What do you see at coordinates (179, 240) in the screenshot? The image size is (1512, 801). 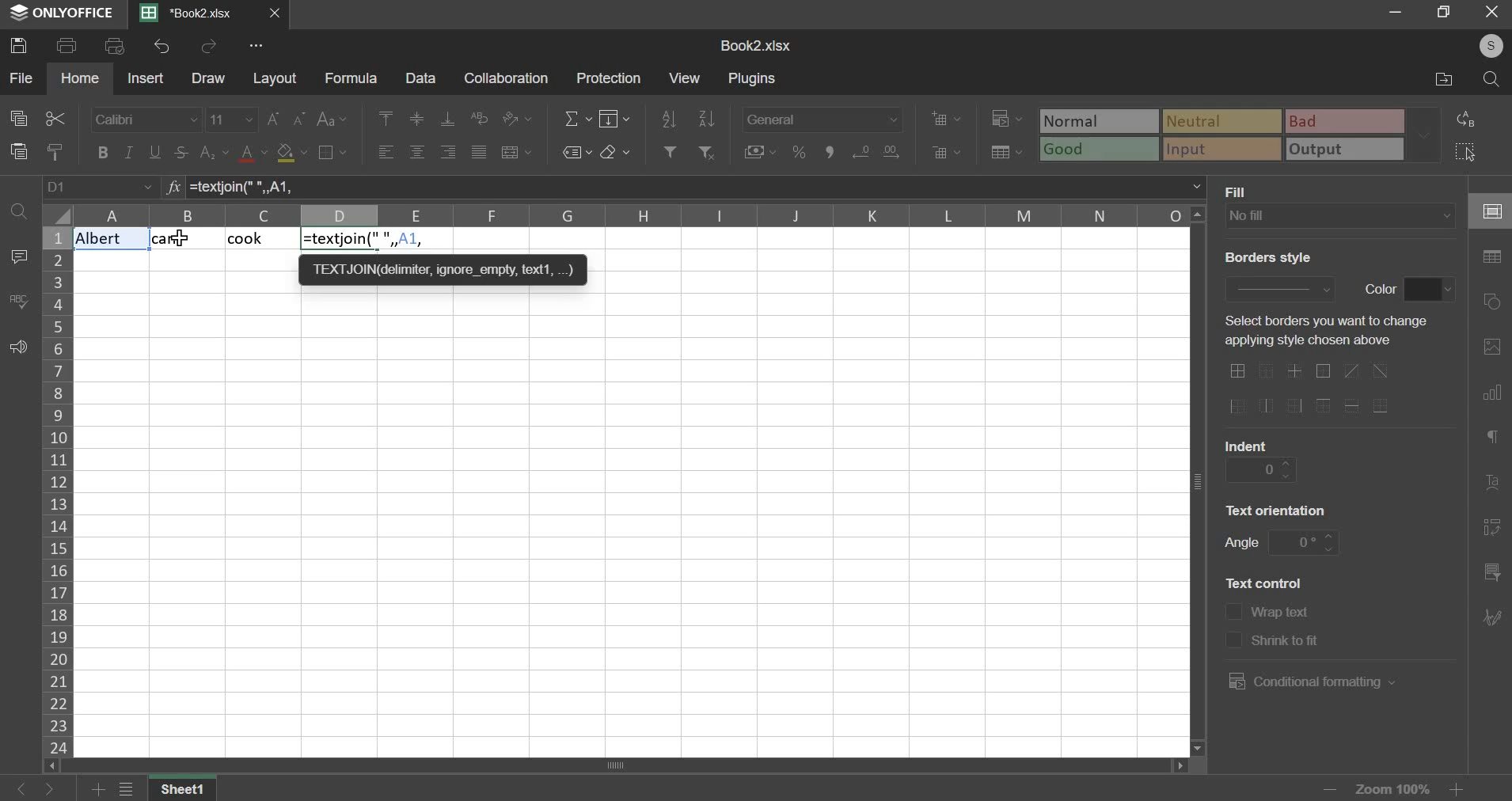 I see `Text` at bounding box center [179, 240].